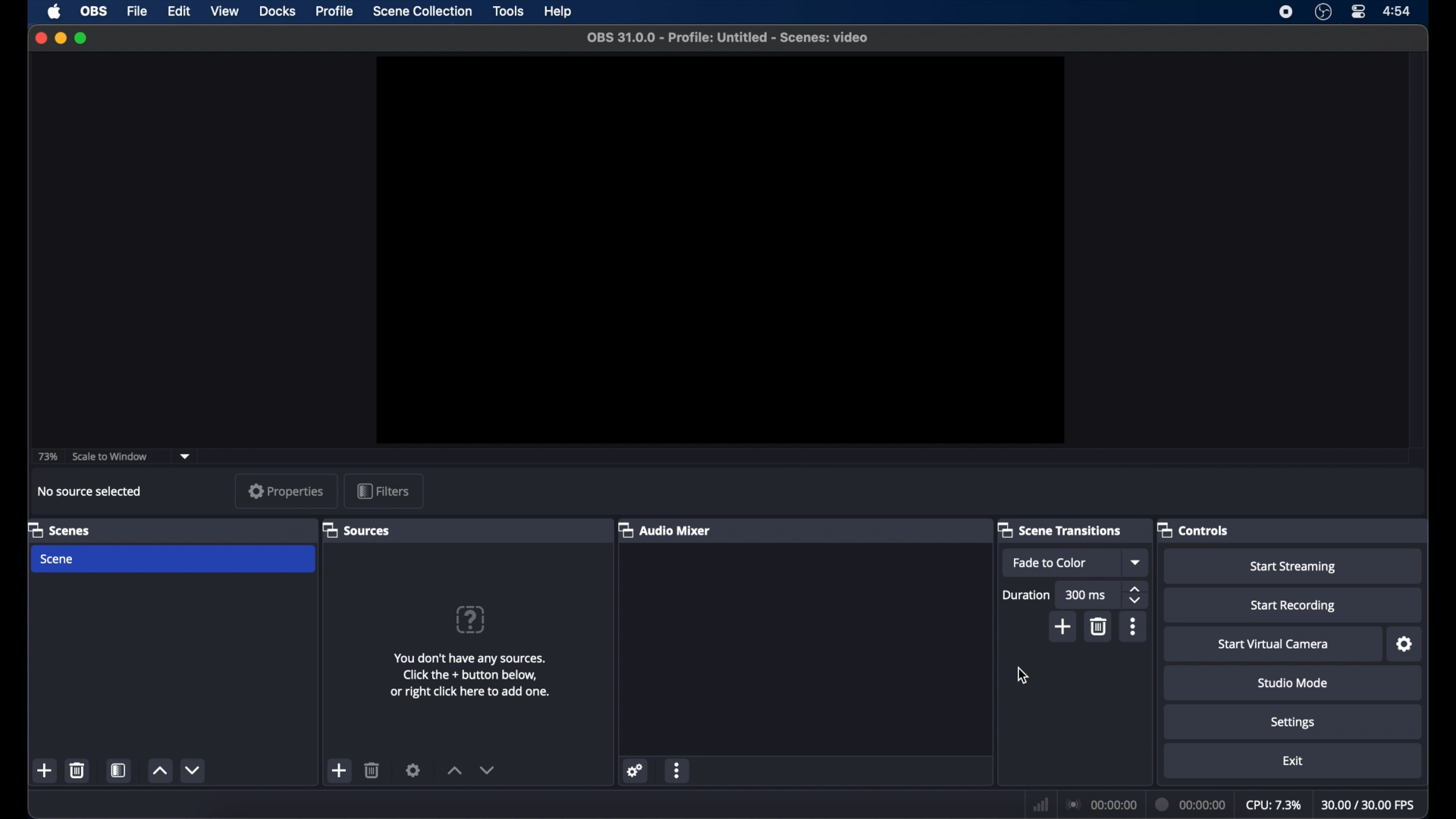 Image resolution: width=1456 pixels, height=819 pixels. What do you see at coordinates (58, 560) in the screenshot?
I see `scene` at bounding box center [58, 560].